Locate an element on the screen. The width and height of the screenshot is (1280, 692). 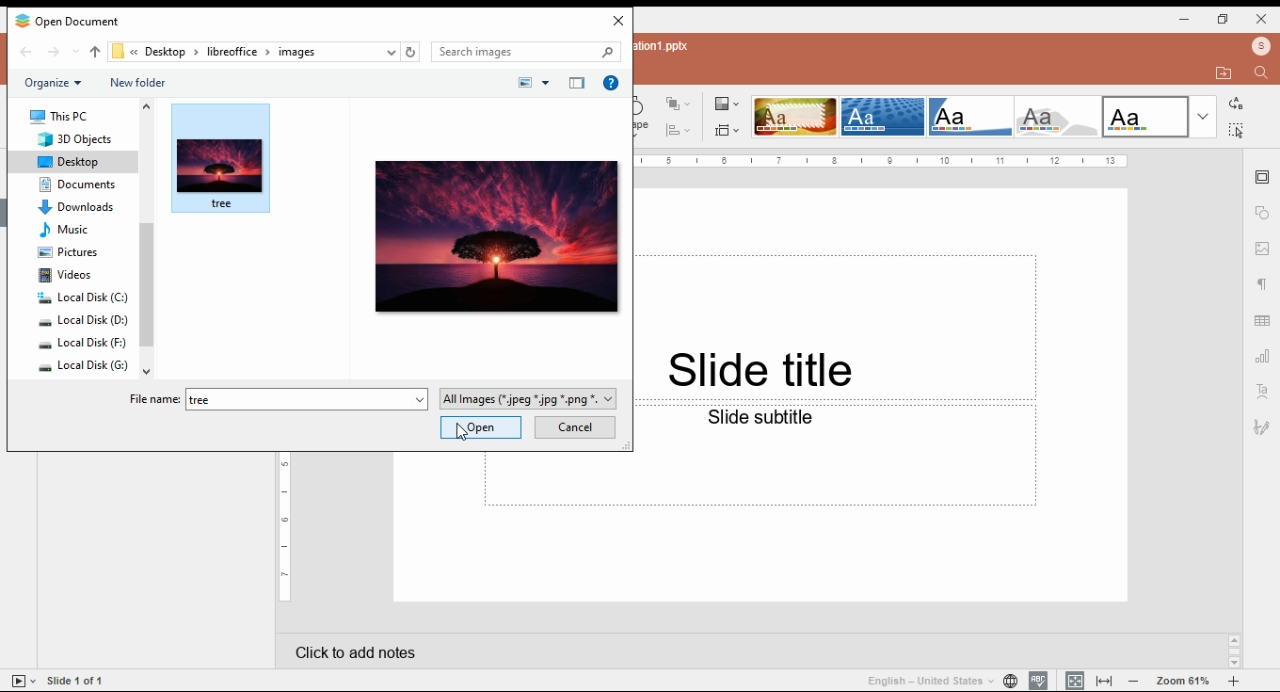
theme 2 is located at coordinates (881, 117).